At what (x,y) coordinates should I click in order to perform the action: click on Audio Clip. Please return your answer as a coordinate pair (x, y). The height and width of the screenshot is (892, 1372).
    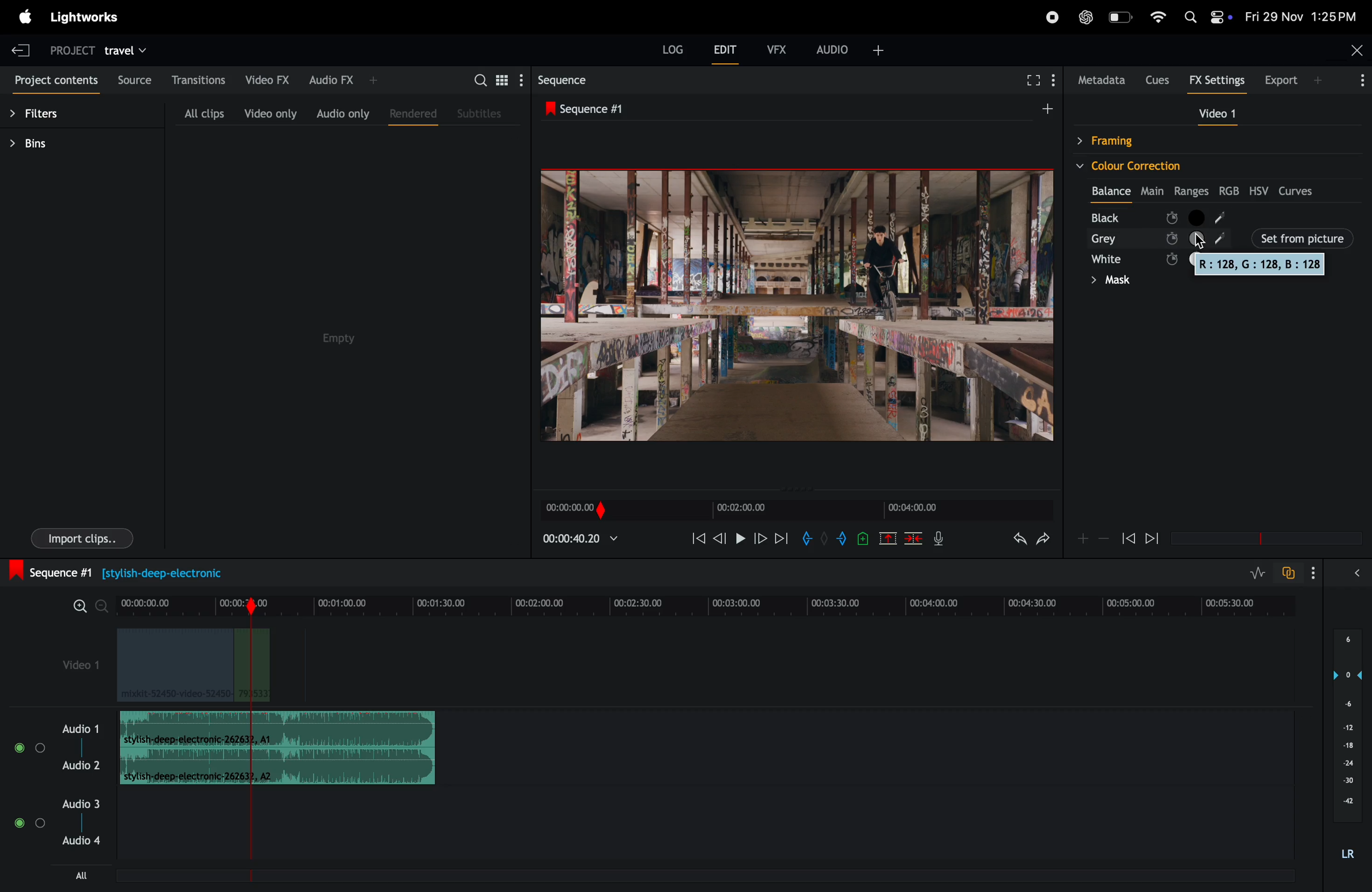
    Looking at the image, I should click on (277, 765).